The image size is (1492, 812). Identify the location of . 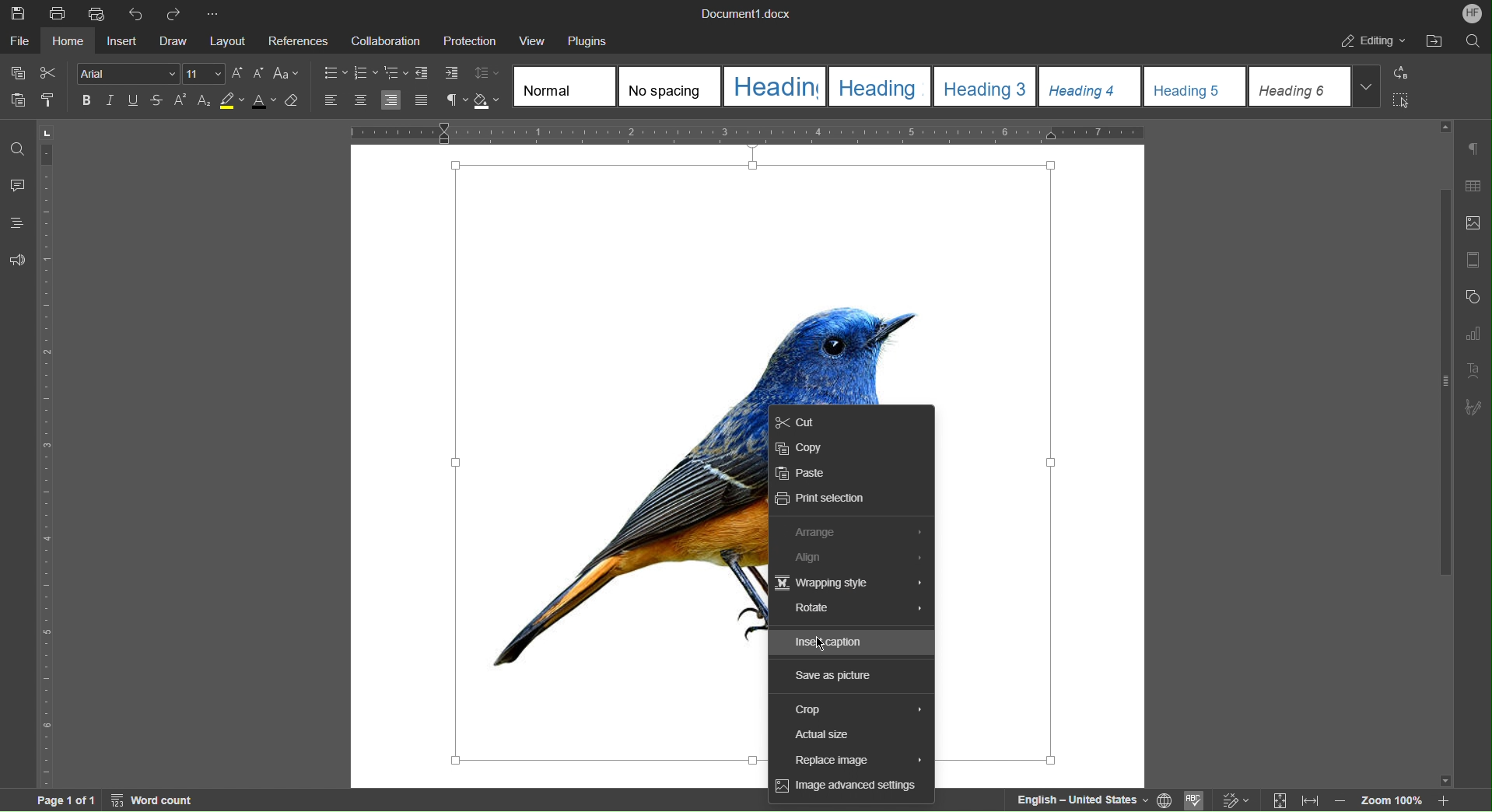
(851, 760).